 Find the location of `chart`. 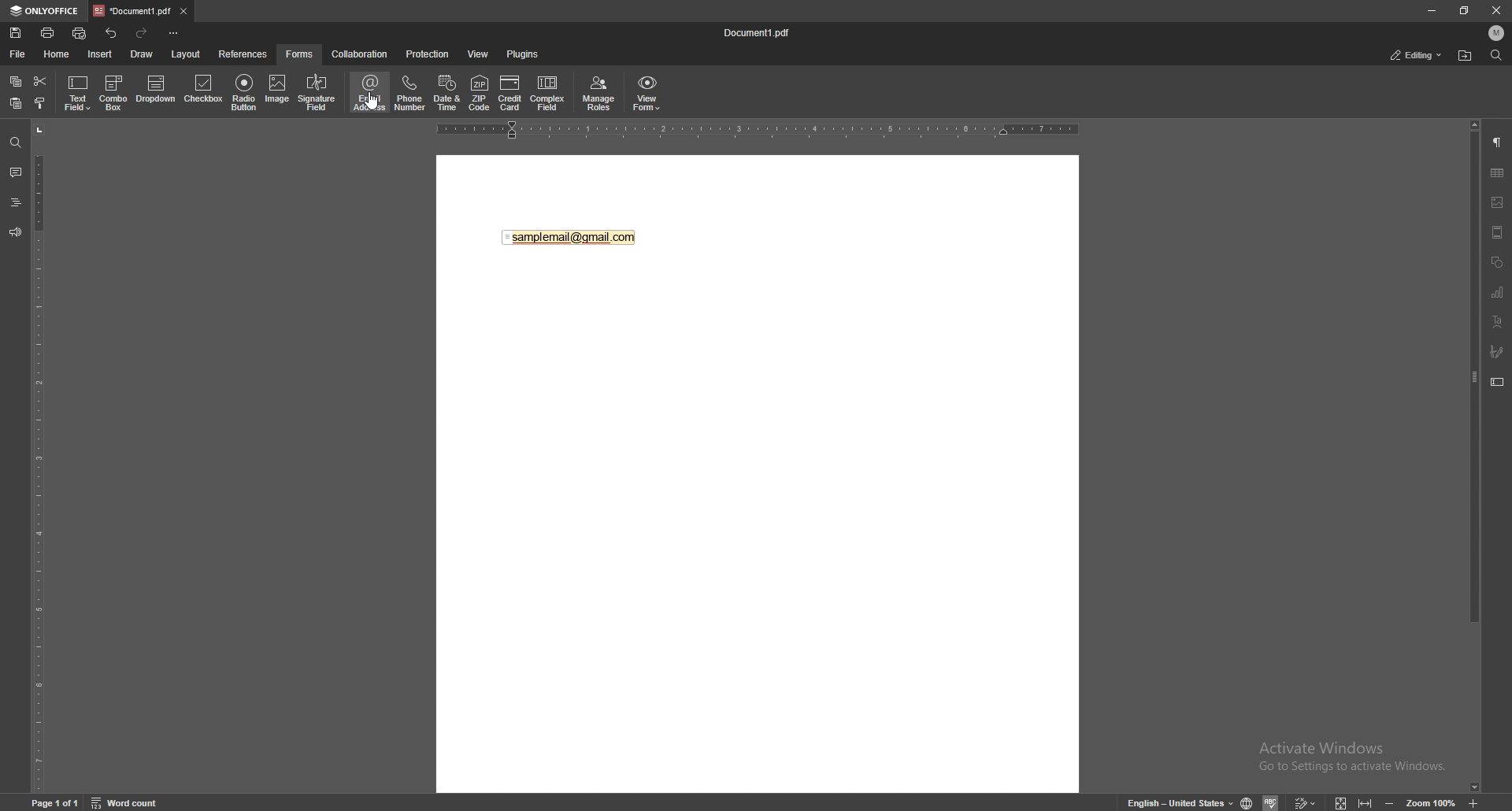

chart is located at coordinates (1499, 293).